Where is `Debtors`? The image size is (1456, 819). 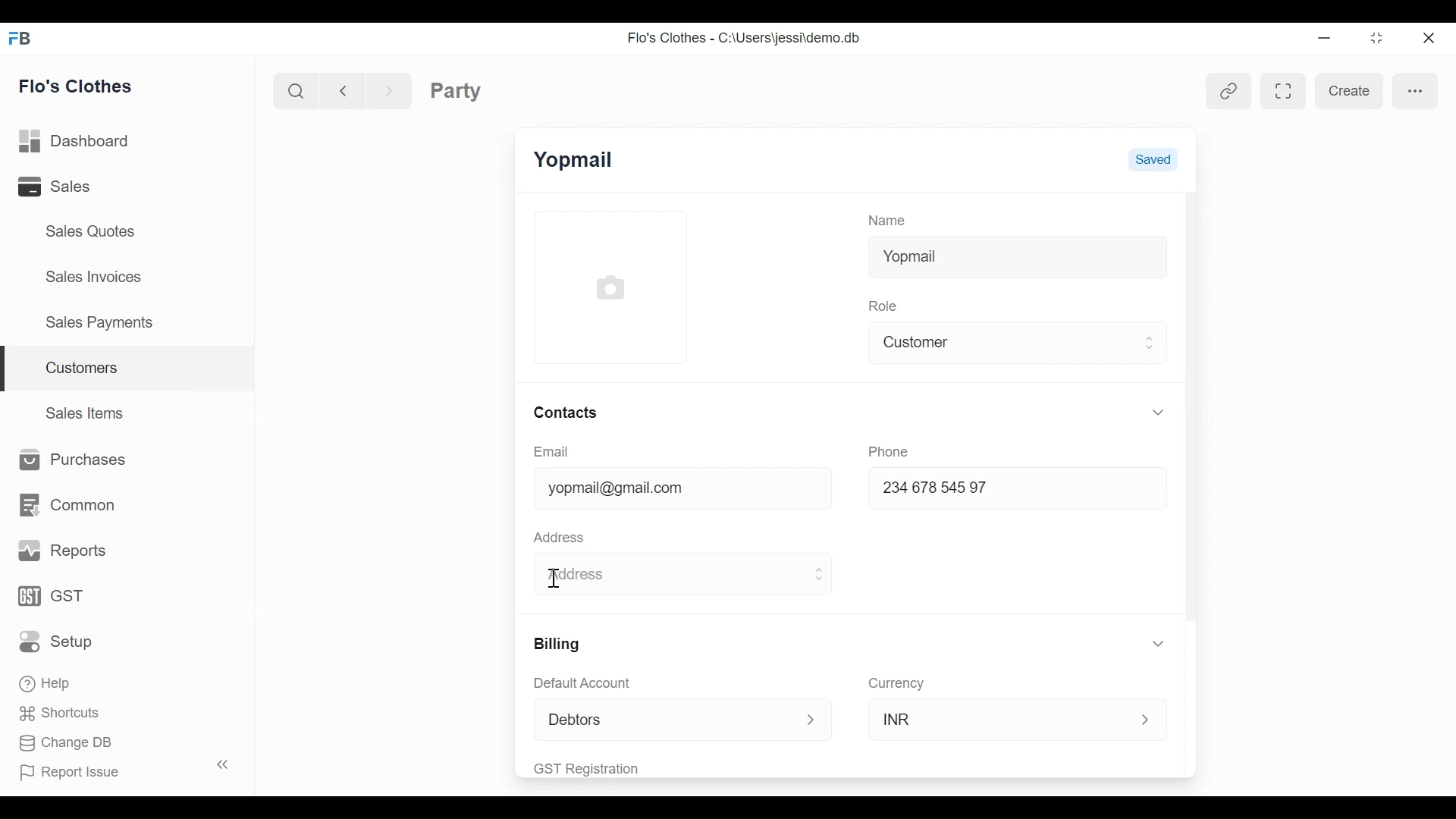
Debtors is located at coordinates (670, 717).